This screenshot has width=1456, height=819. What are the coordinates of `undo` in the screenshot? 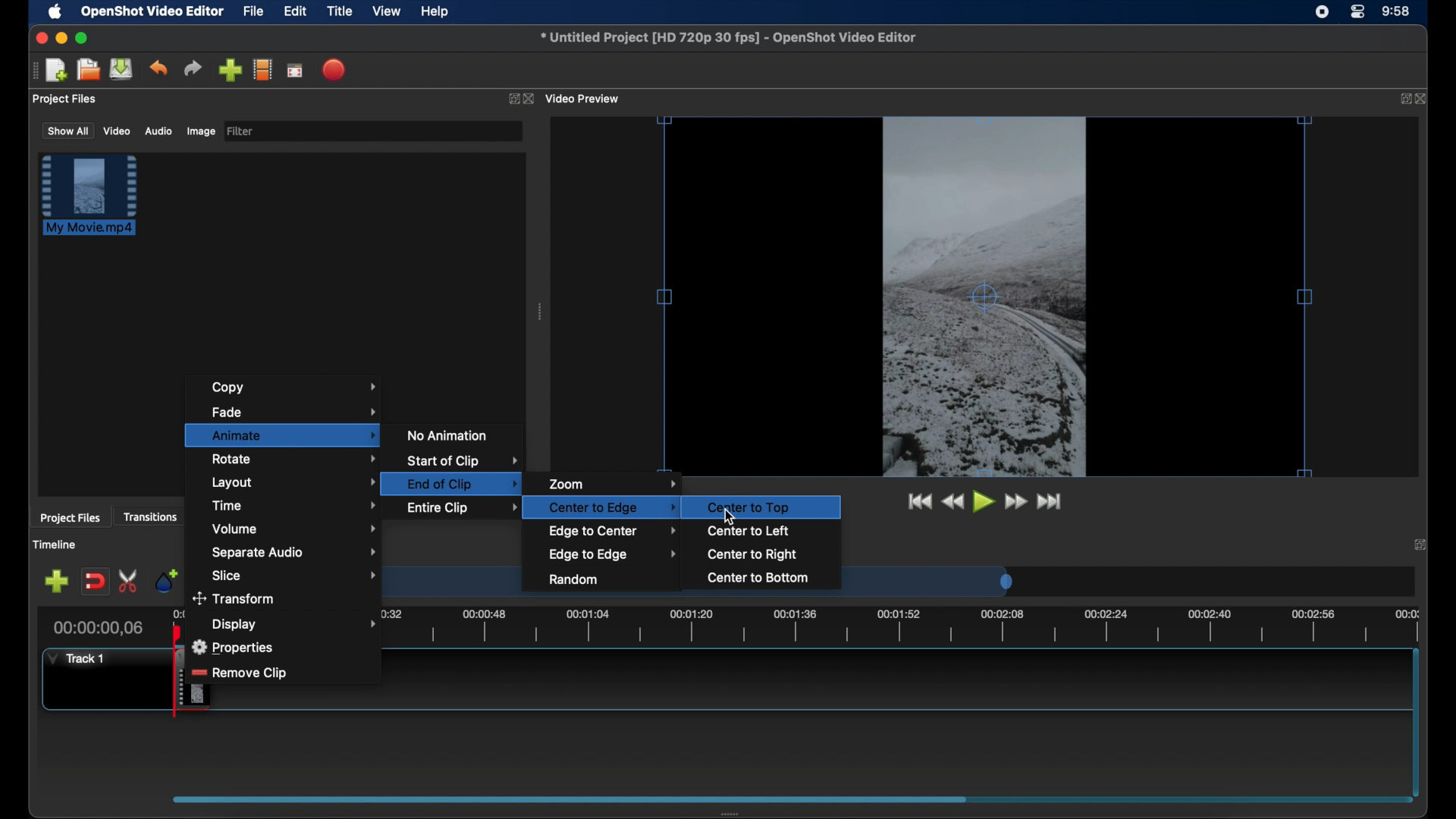 It's located at (158, 68).